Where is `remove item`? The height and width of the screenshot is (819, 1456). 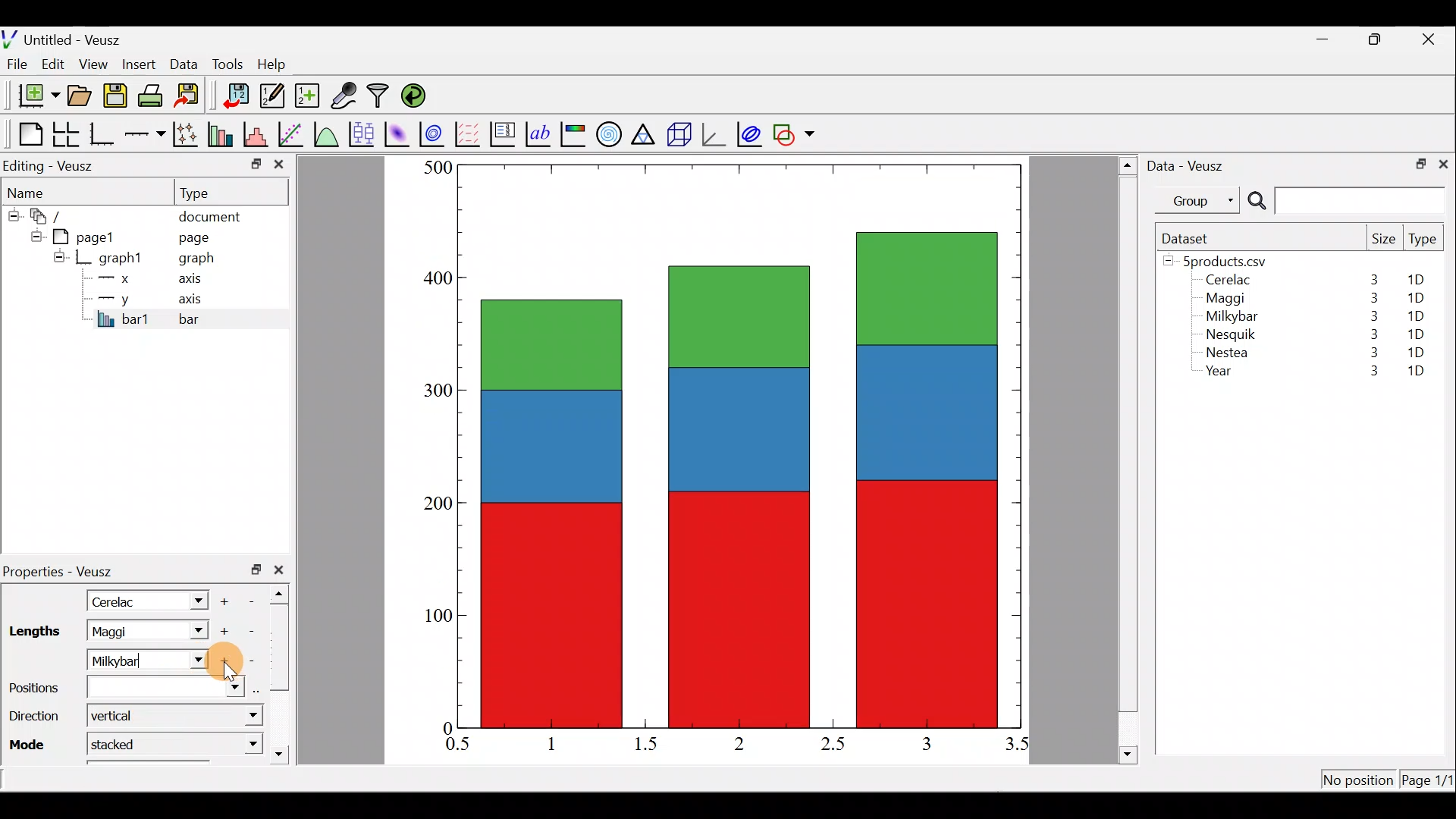 remove item is located at coordinates (250, 631).